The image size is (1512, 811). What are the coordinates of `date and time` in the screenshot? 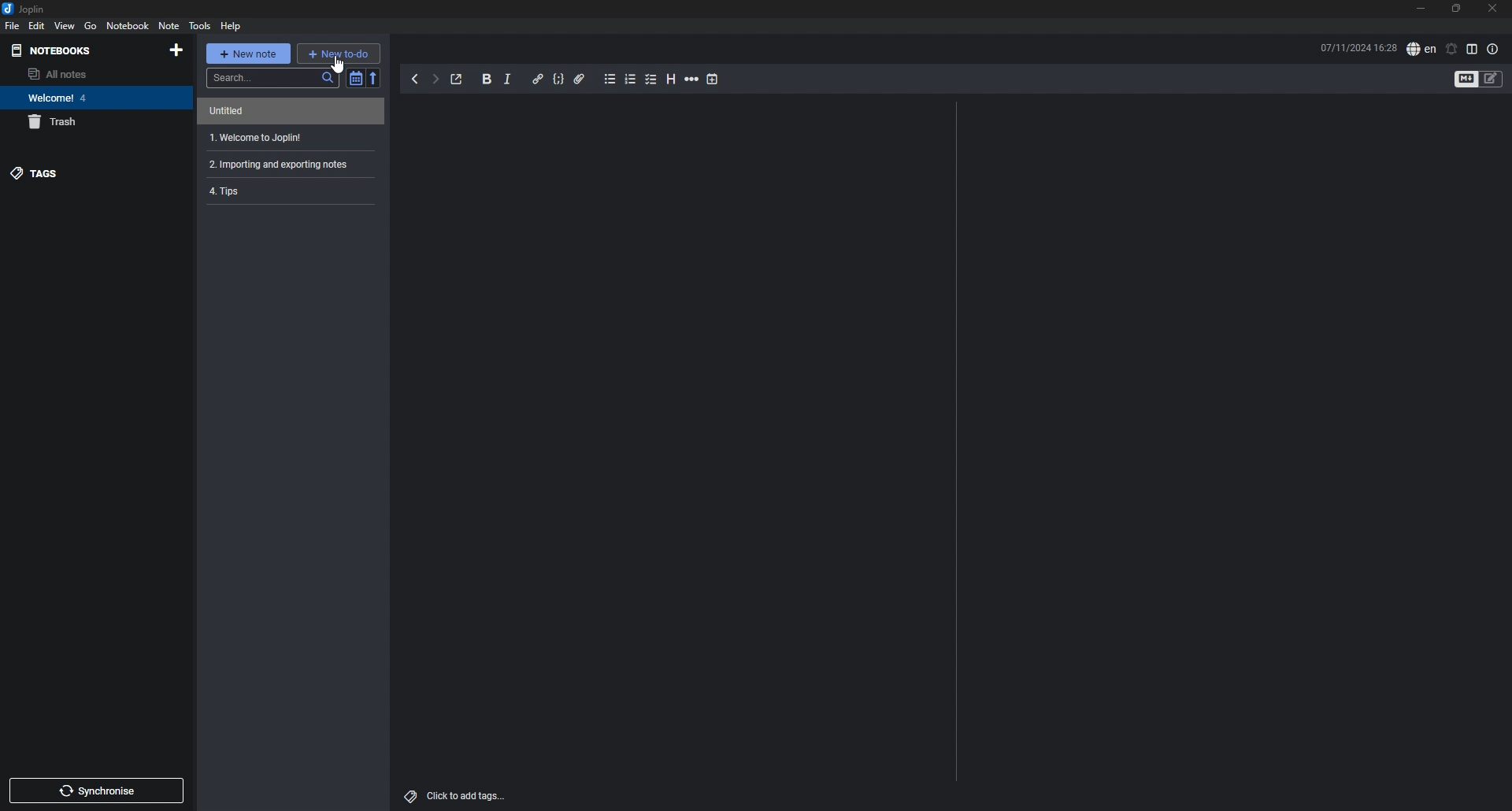 It's located at (1358, 48).